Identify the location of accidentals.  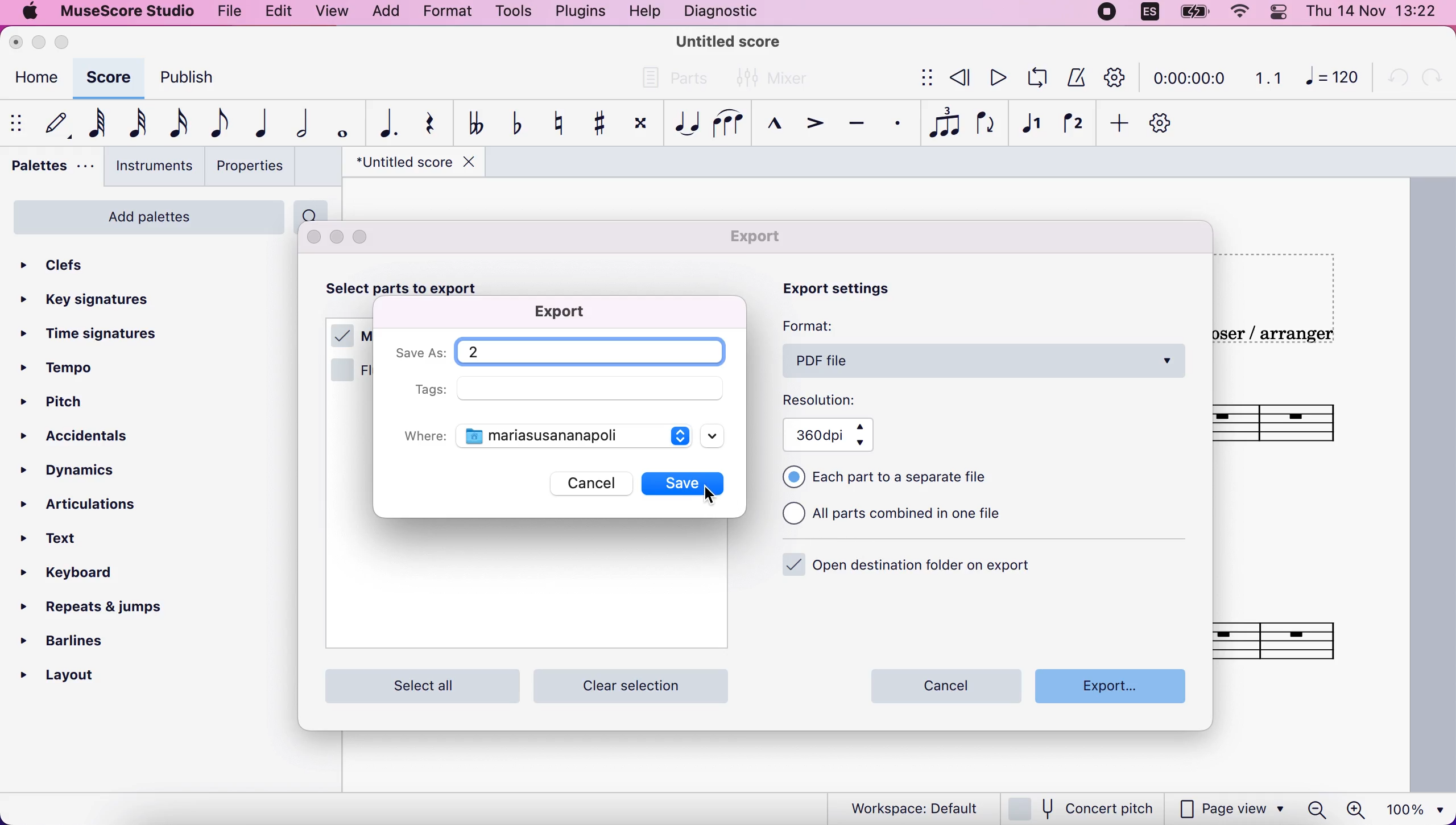
(84, 442).